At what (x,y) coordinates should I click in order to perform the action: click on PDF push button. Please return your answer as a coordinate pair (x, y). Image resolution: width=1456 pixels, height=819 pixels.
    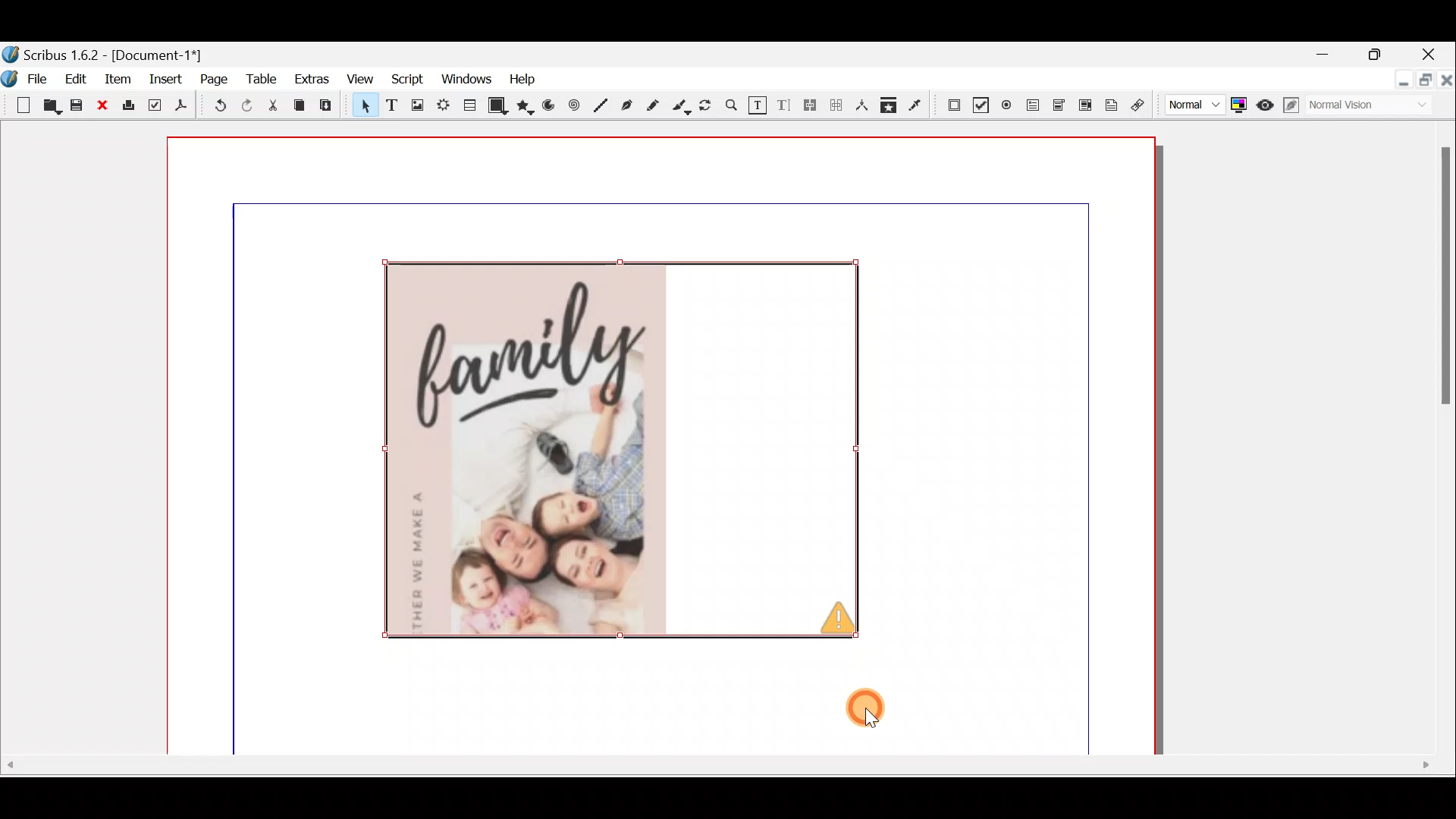
    Looking at the image, I should click on (949, 103).